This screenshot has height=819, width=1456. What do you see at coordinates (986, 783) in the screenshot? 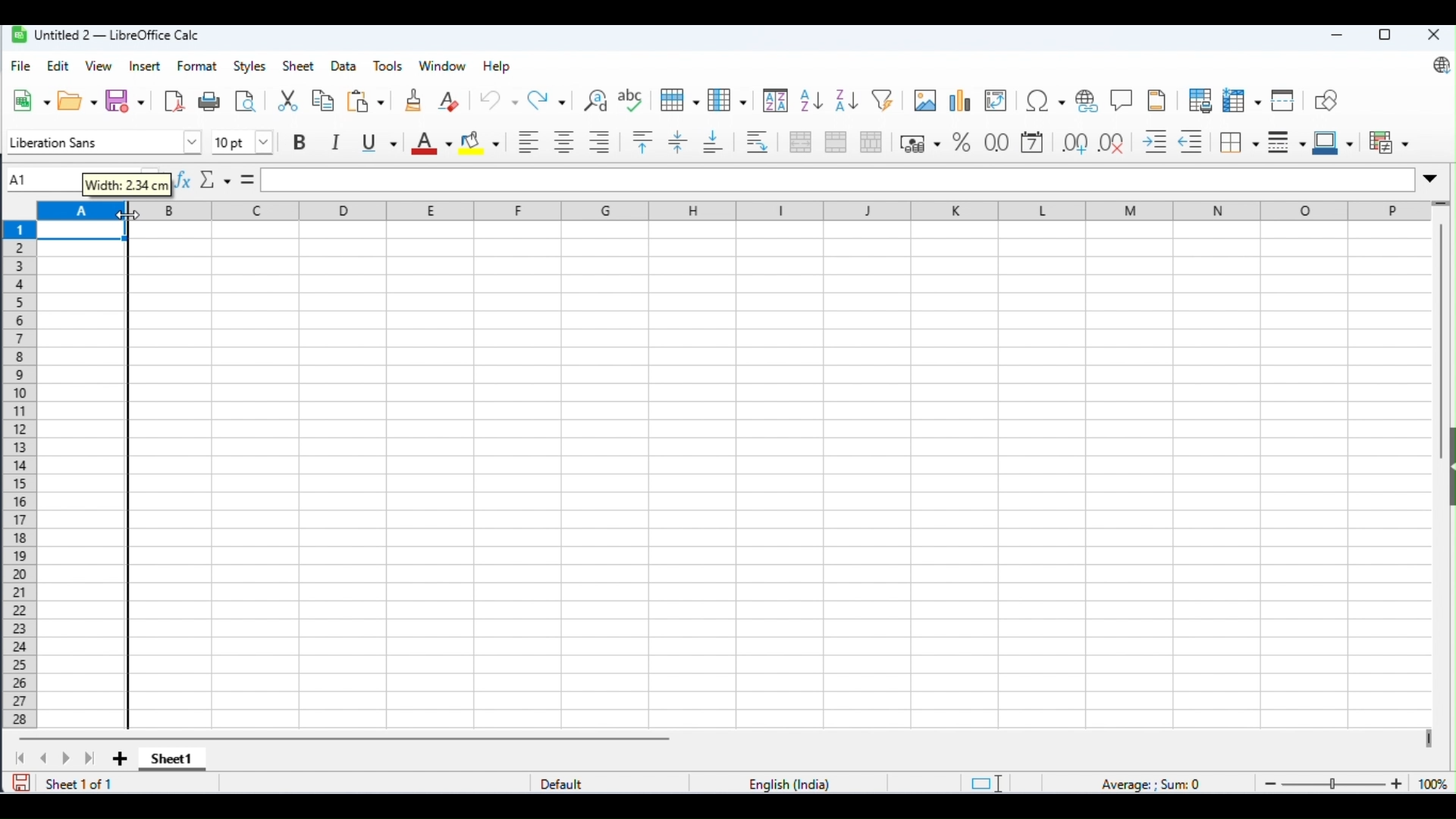
I see `standard selection` at bounding box center [986, 783].